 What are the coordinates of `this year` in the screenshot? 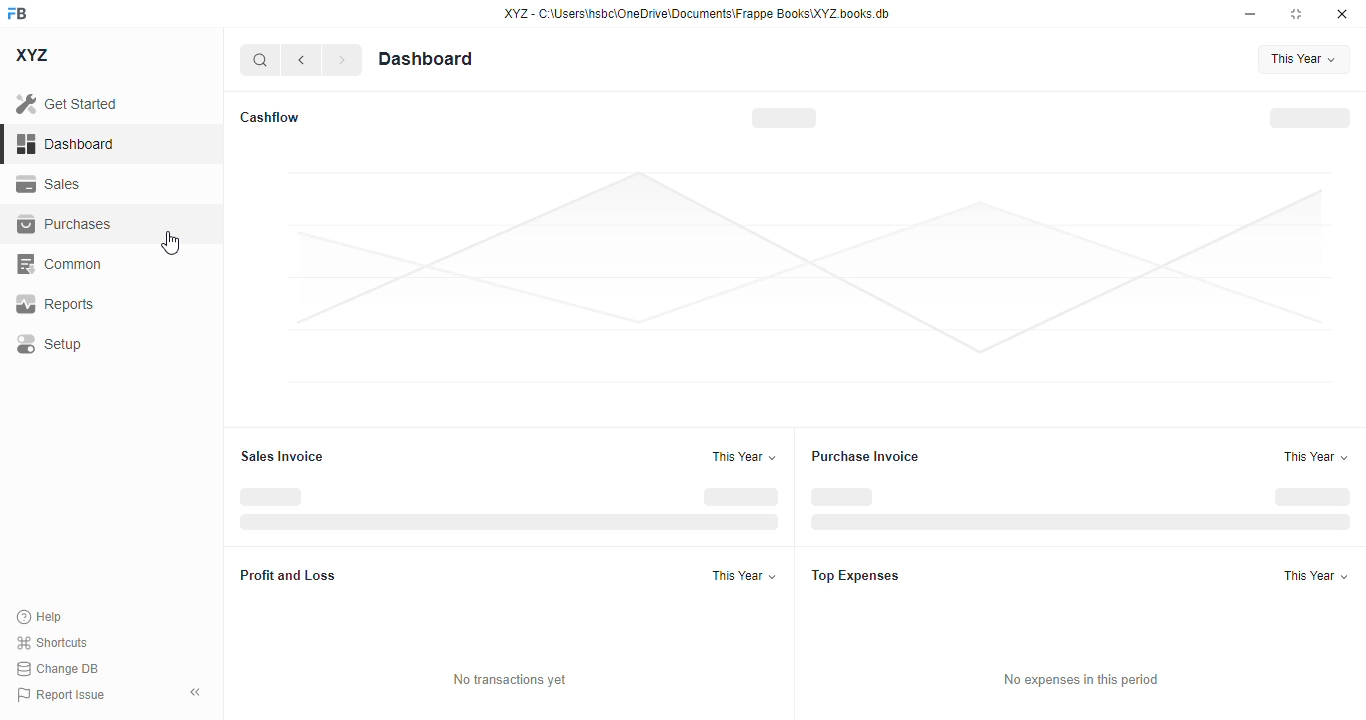 It's located at (744, 575).